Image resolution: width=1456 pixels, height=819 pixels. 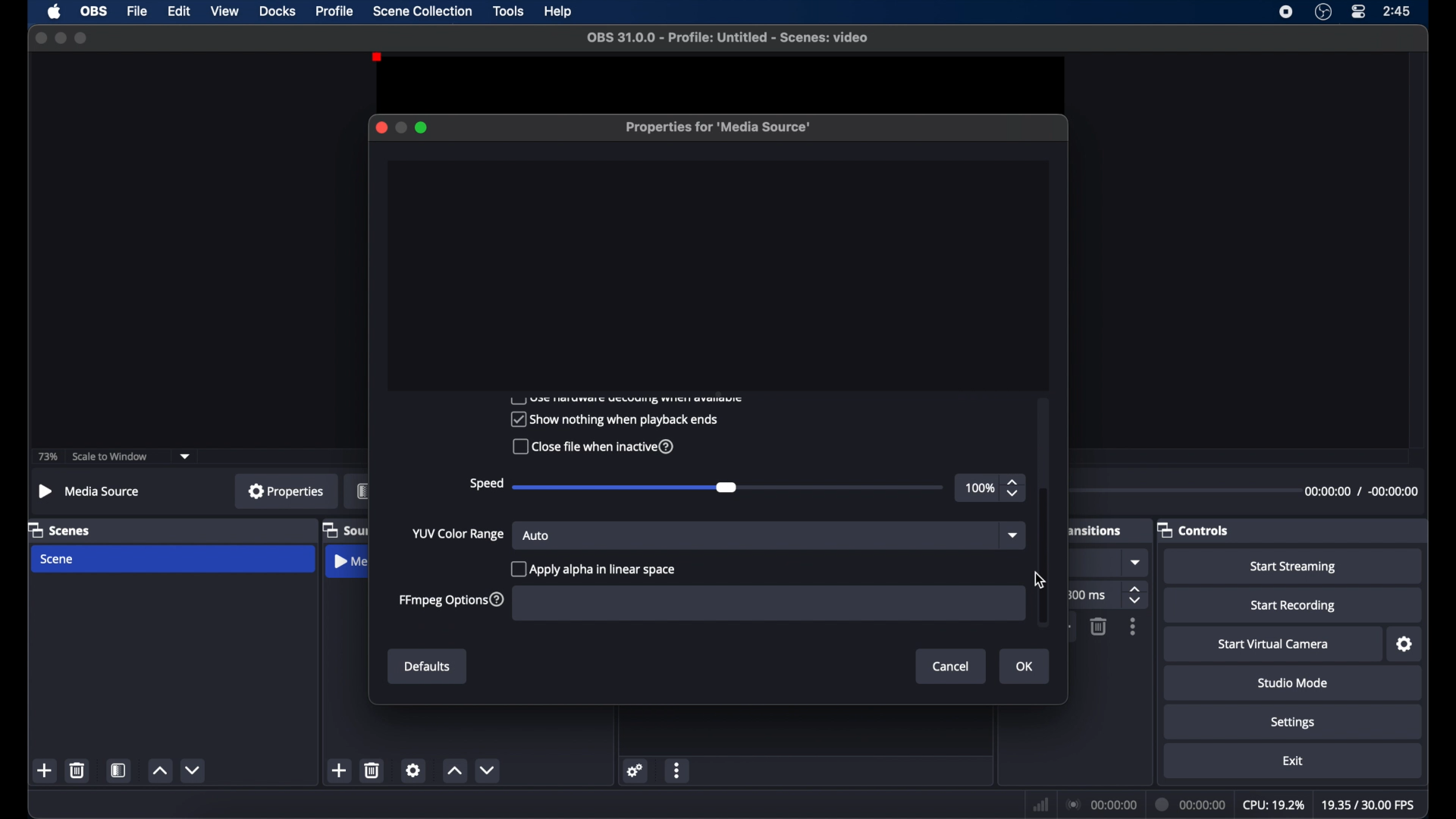 What do you see at coordinates (46, 457) in the screenshot?
I see `73%` at bounding box center [46, 457].